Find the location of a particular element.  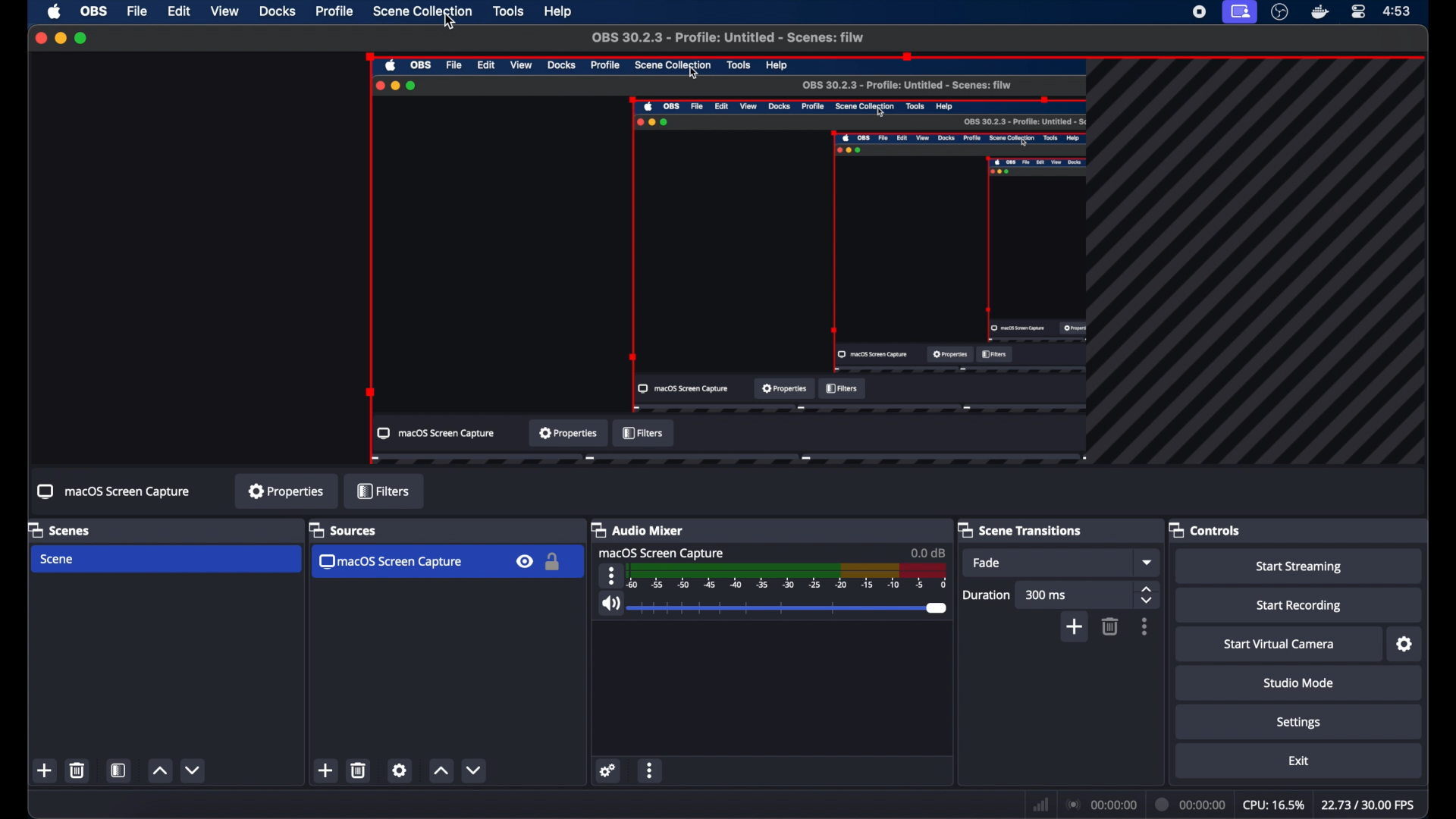

settings is located at coordinates (607, 771).